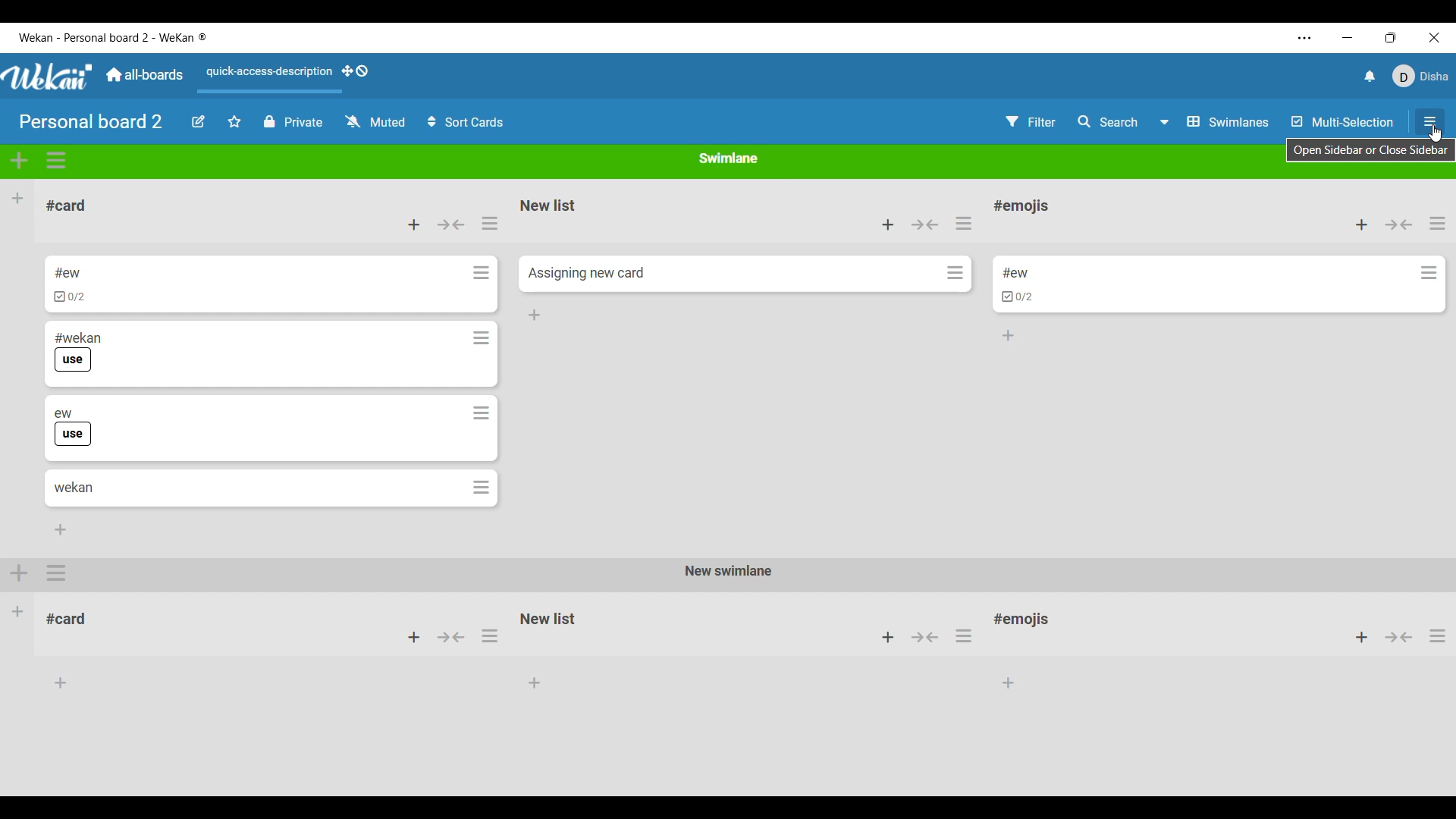  Describe the element at coordinates (925, 224) in the screenshot. I see `Collapse` at that location.